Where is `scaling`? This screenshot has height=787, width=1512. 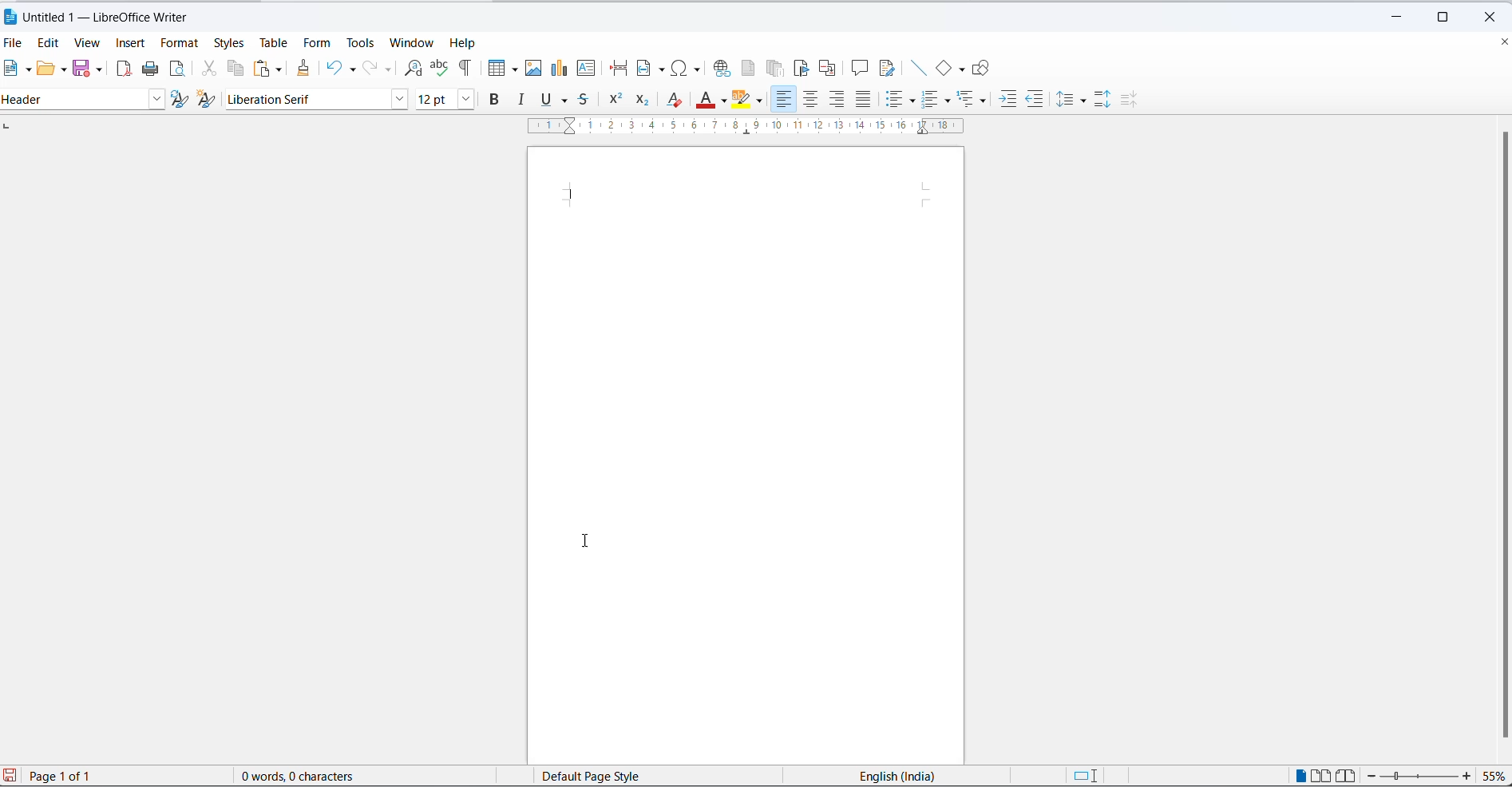
scaling is located at coordinates (759, 130).